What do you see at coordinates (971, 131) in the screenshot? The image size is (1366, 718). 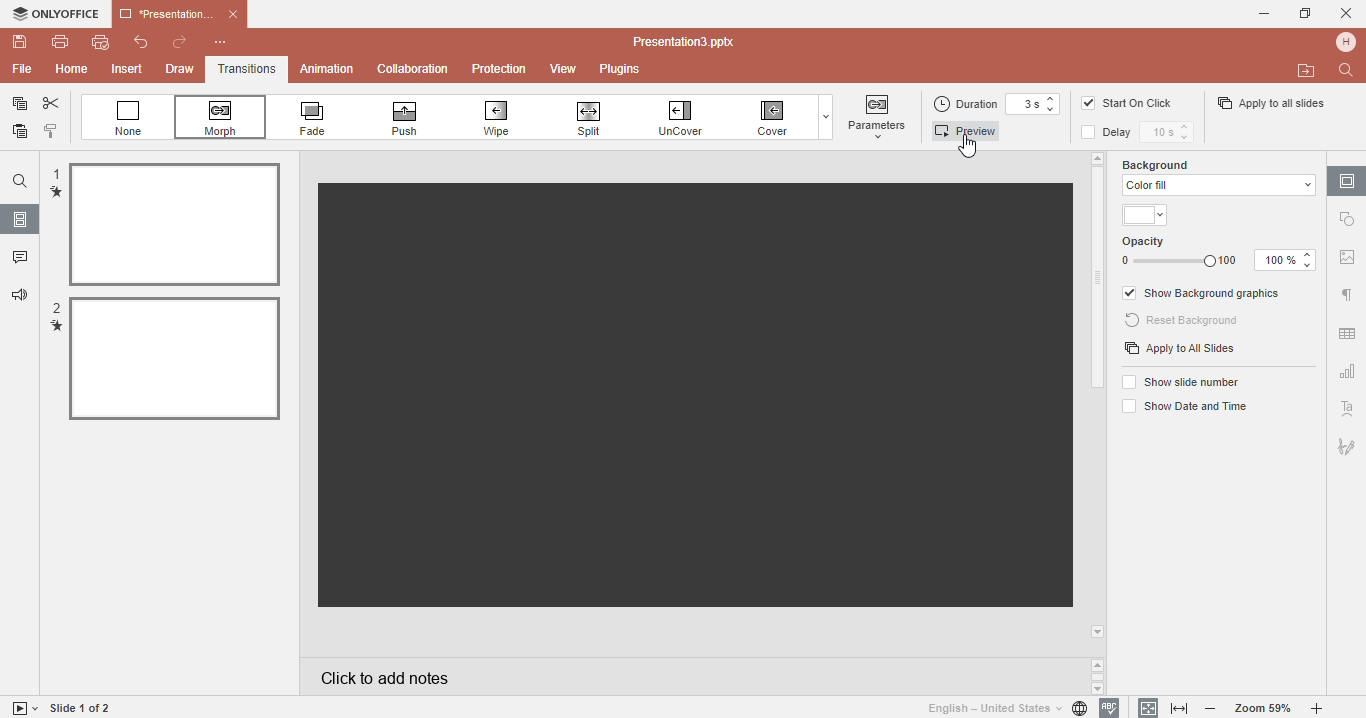 I see `Preview` at bounding box center [971, 131].